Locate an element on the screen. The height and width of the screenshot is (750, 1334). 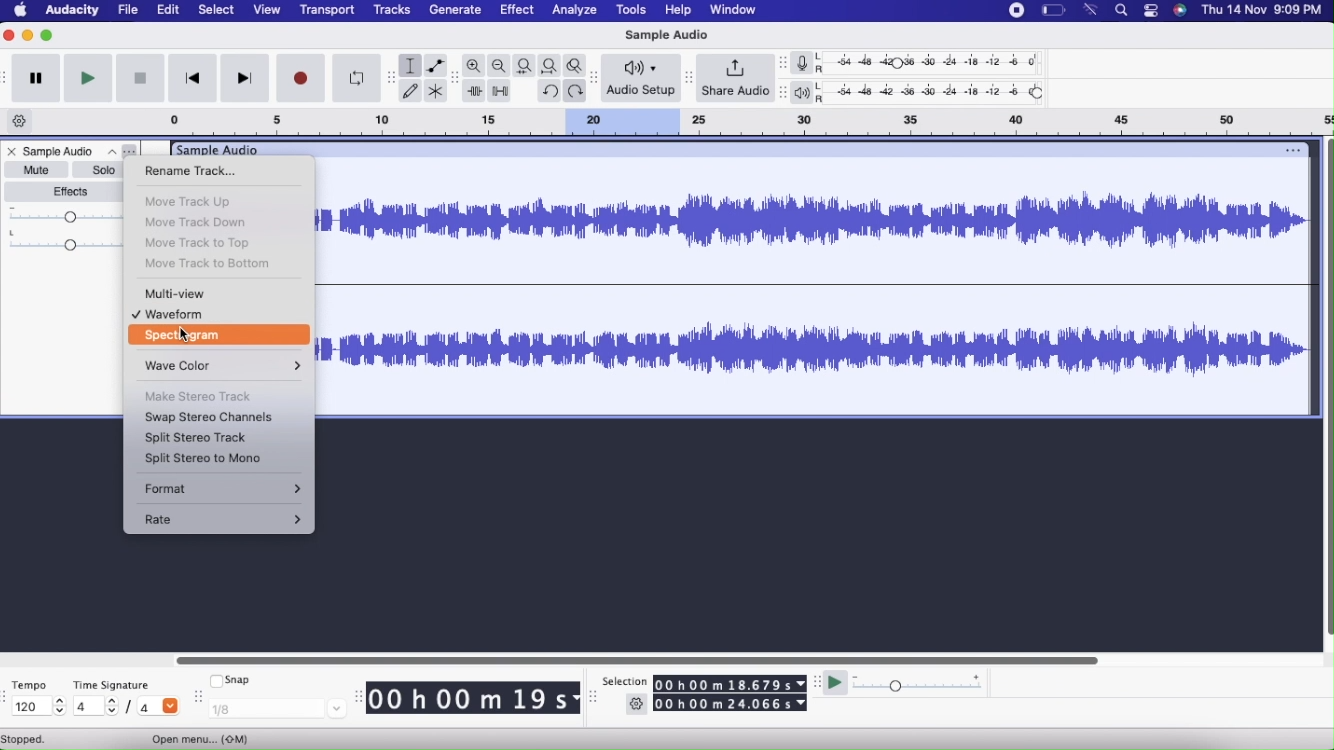
Effects is located at coordinates (66, 191).